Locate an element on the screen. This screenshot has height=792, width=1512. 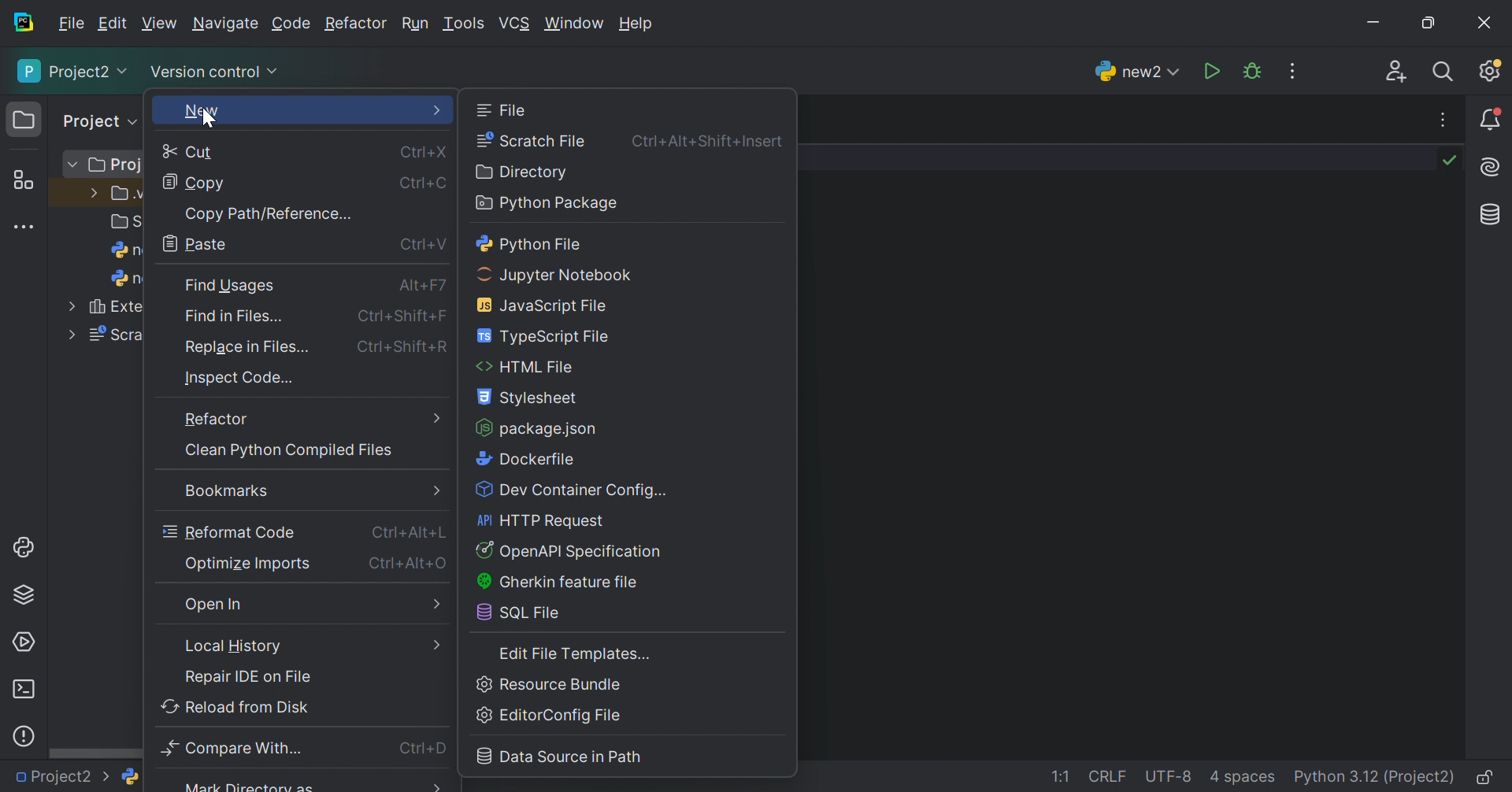
Ctrl+Shift+F is located at coordinates (401, 317).